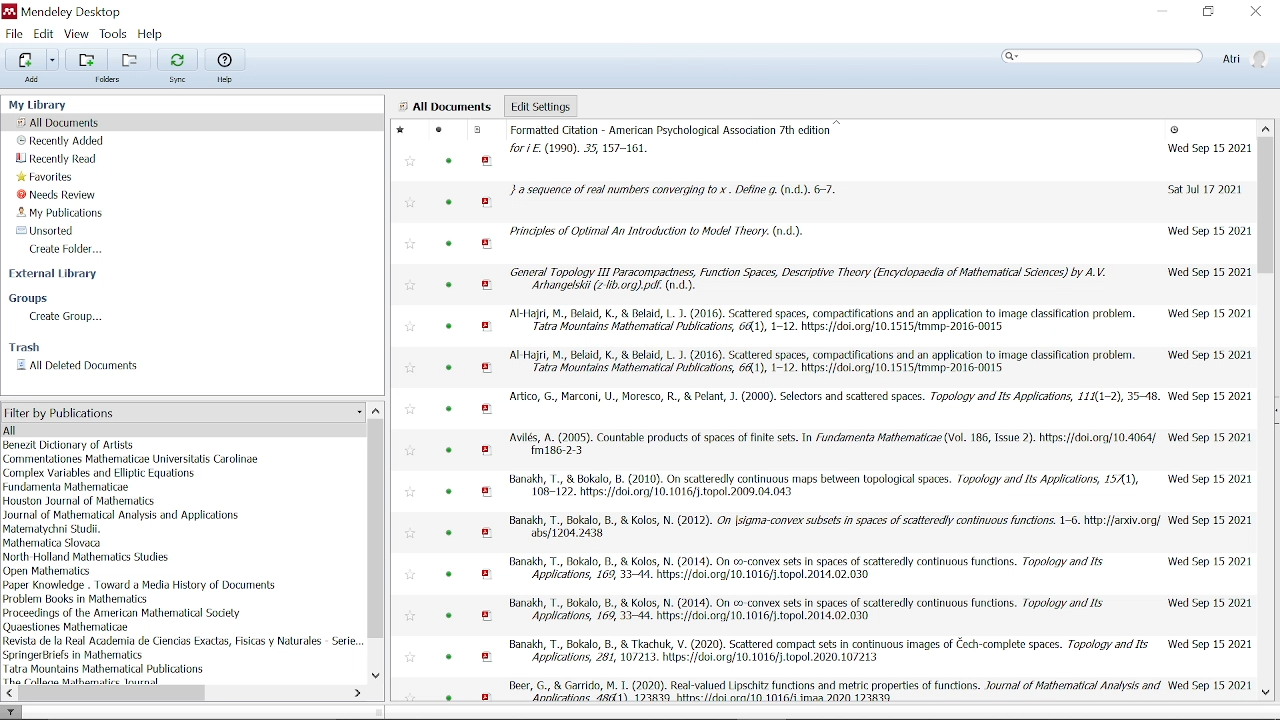 Image resolution: width=1280 pixels, height=720 pixels. What do you see at coordinates (452, 532) in the screenshot?
I see `status` at bounding box center [452, 532].